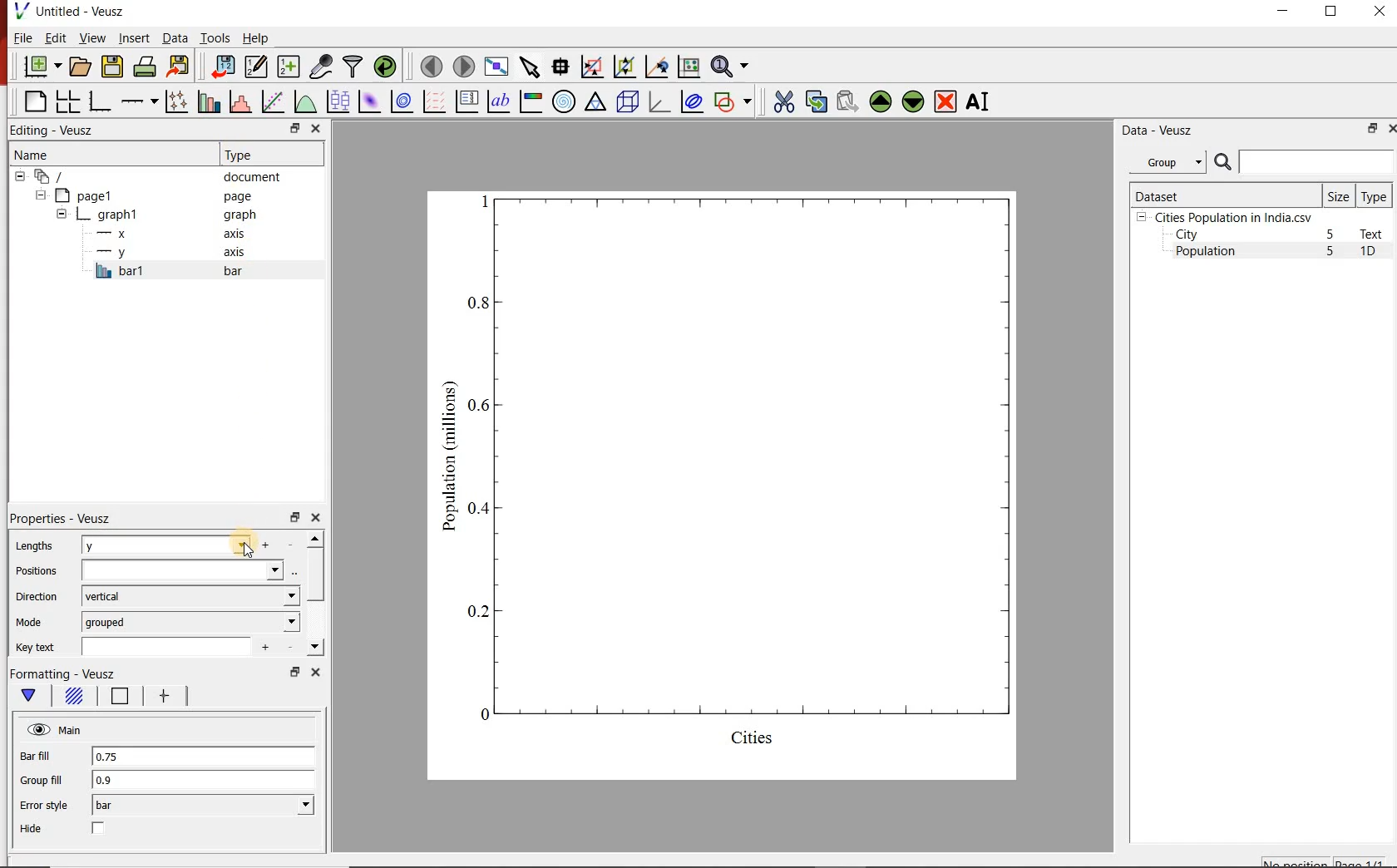  What do you see at coordinates (202, 757) in the screenshot?
I see `0.75` at bounding box center [202, 757].